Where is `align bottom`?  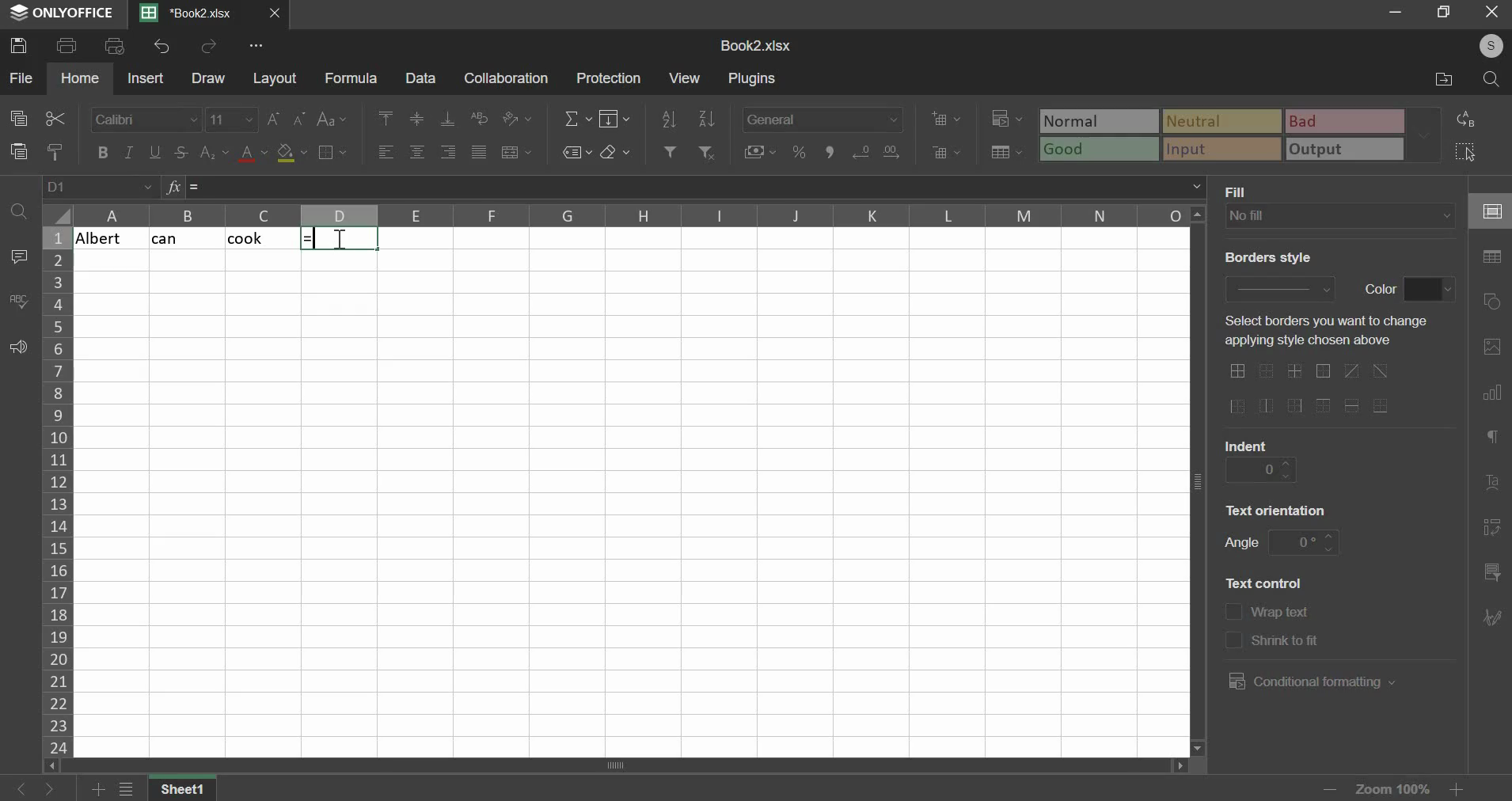 align bottom is located at coordinates (448, 119).